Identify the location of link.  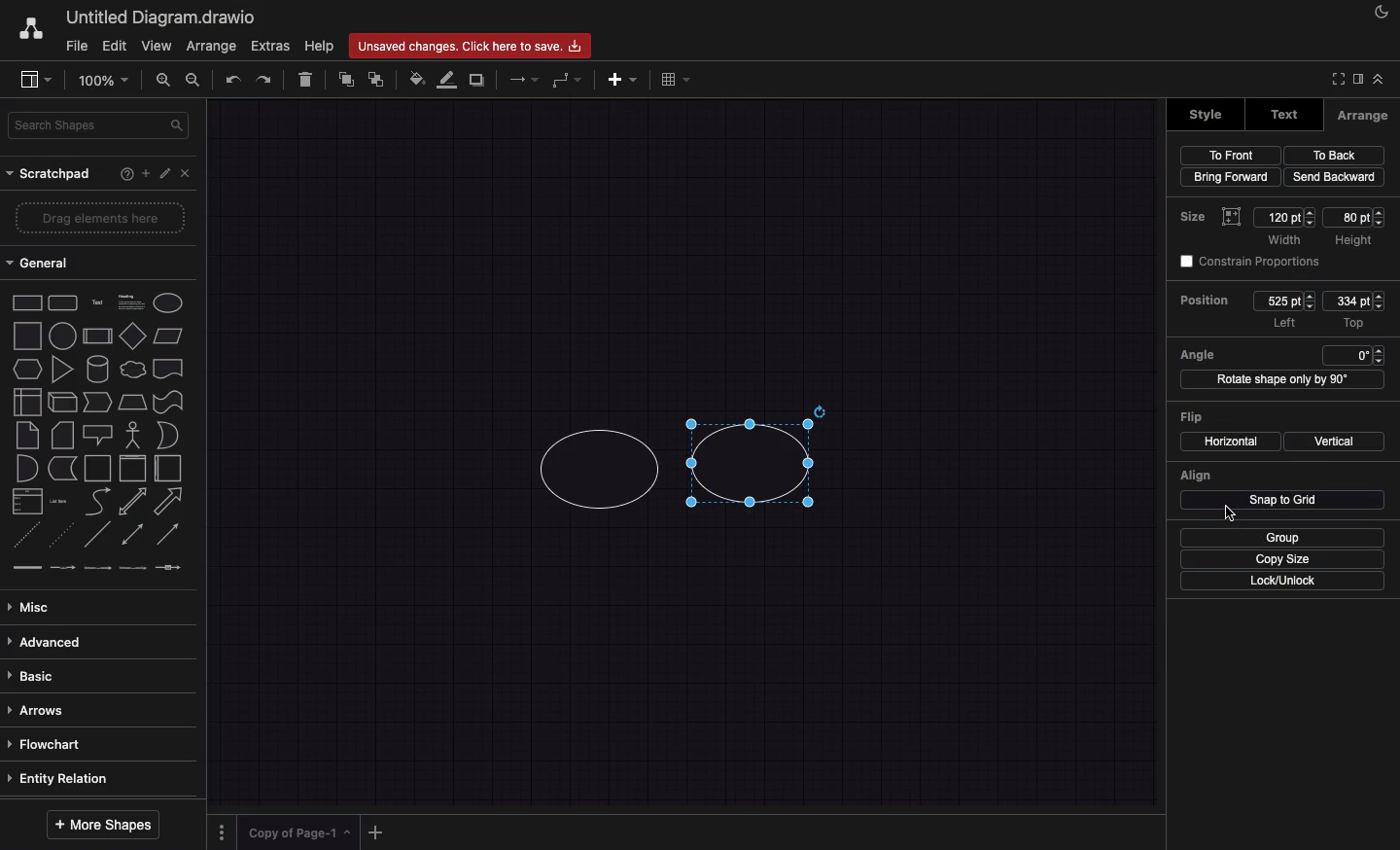
(25, 567).